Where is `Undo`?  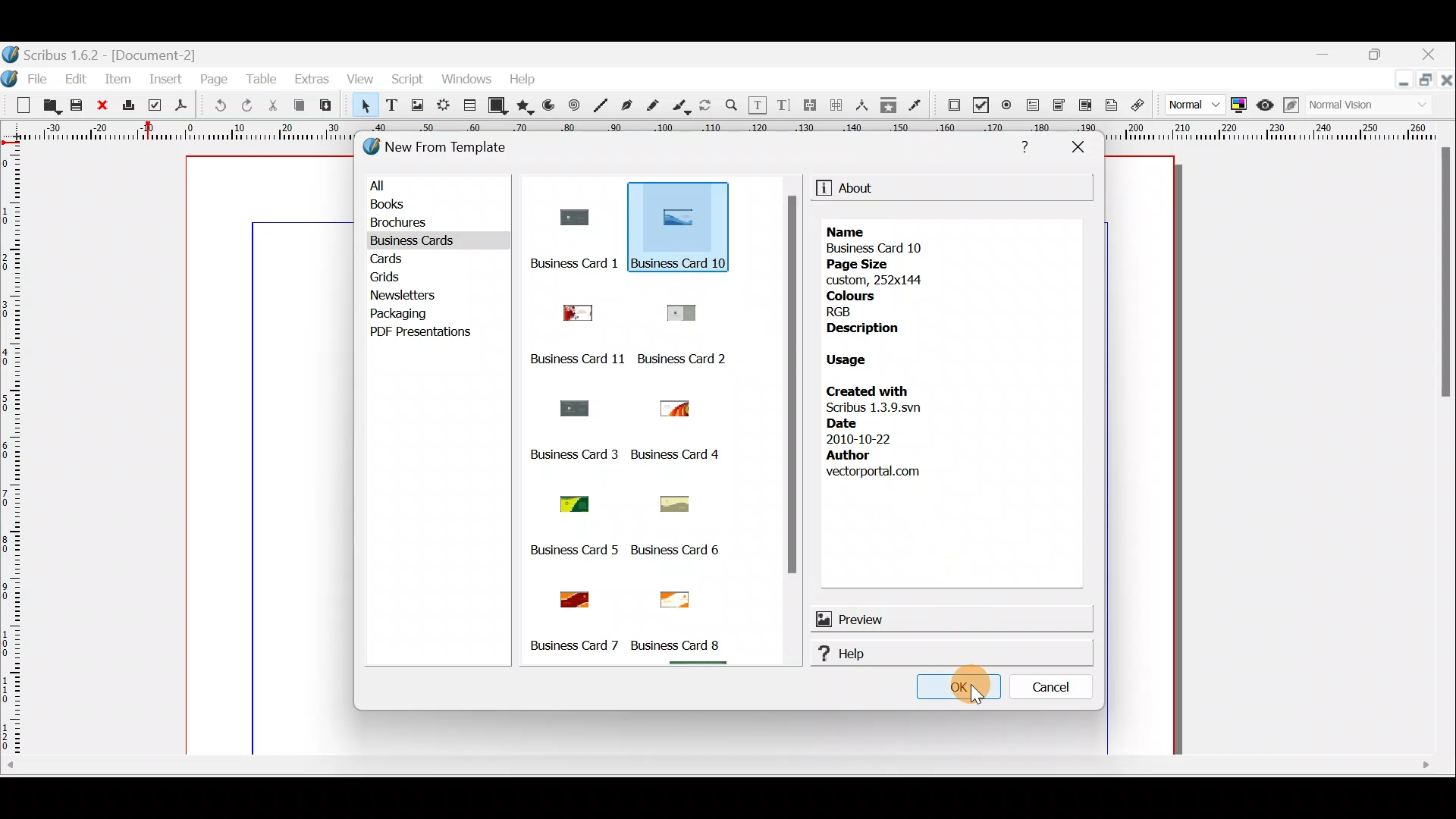 Undo is located at coordinates (220, 106).